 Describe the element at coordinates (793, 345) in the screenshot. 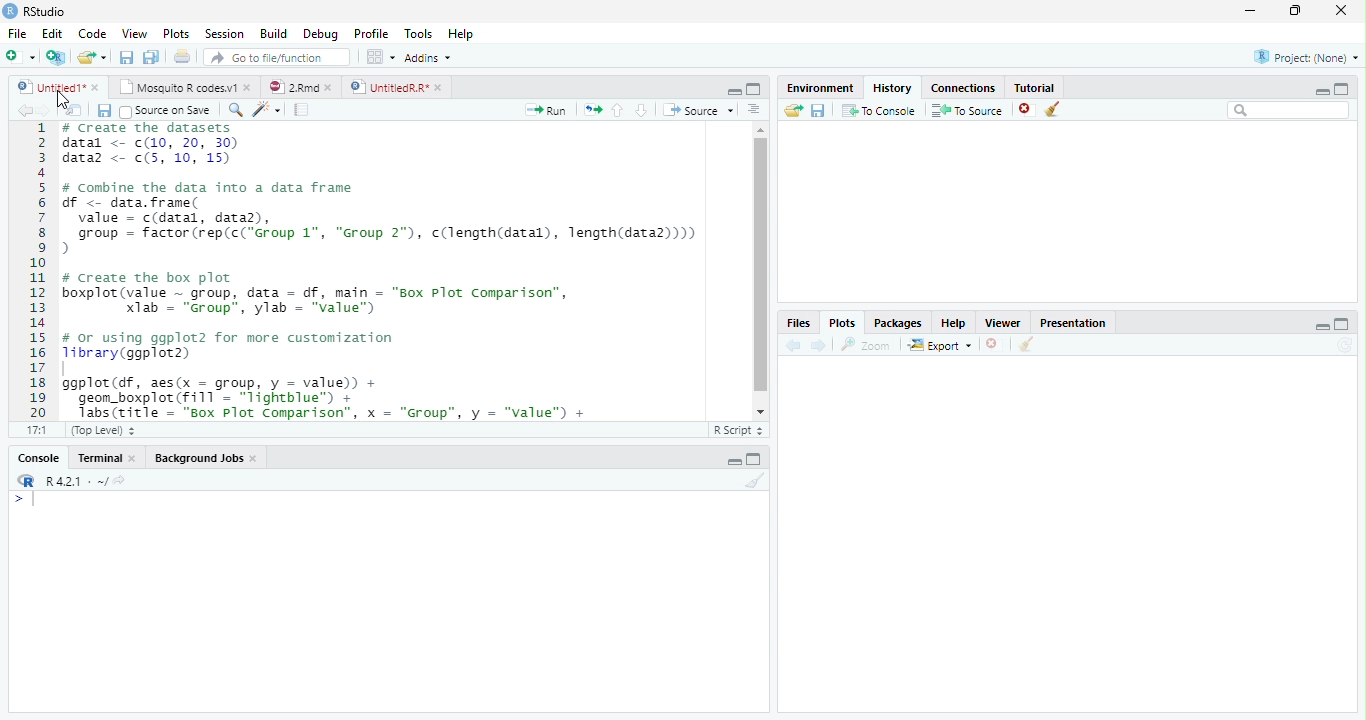

I see `Previous plot` at that location.